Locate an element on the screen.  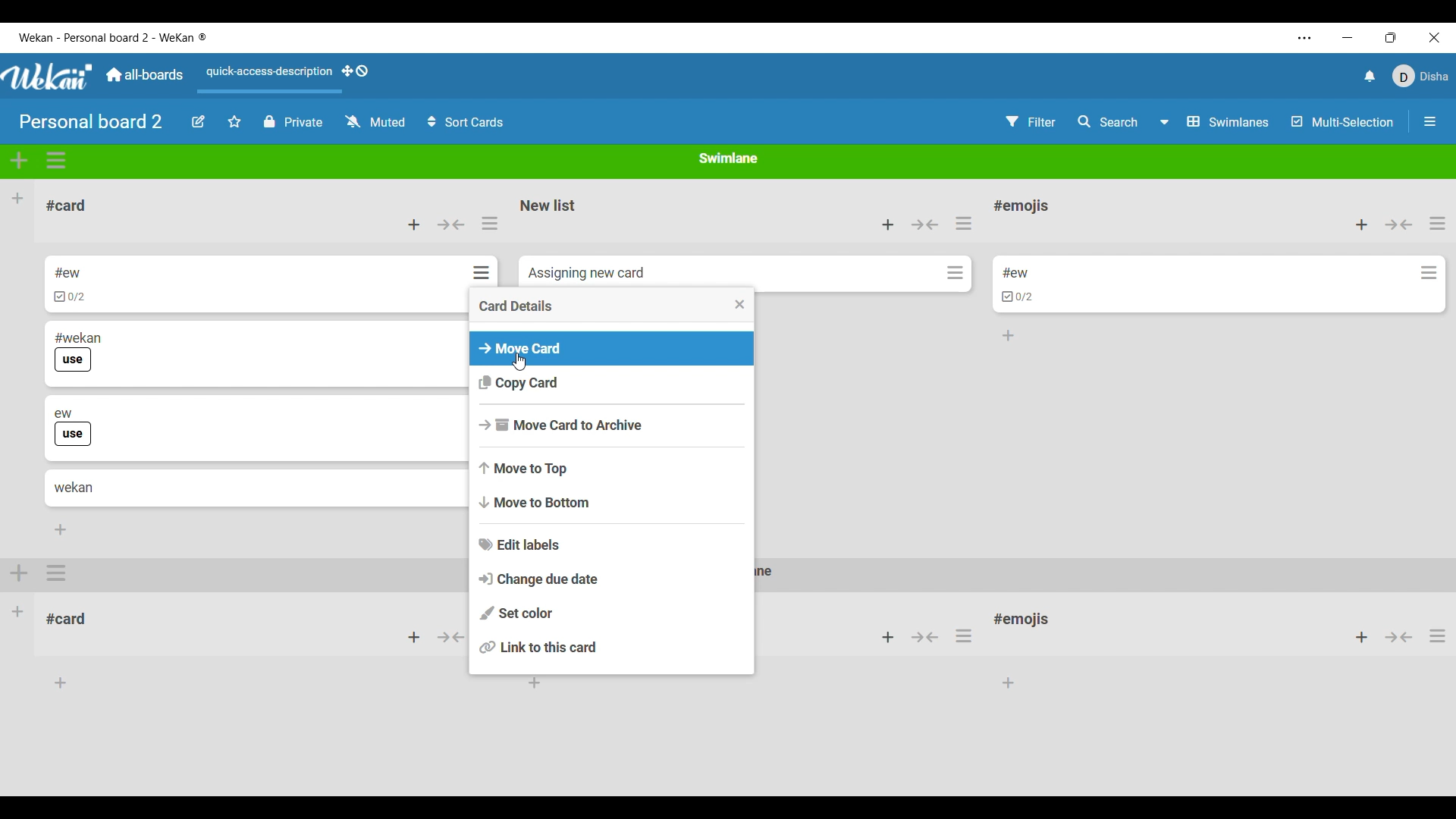
Link to this card is located at coordinates (612, 647).